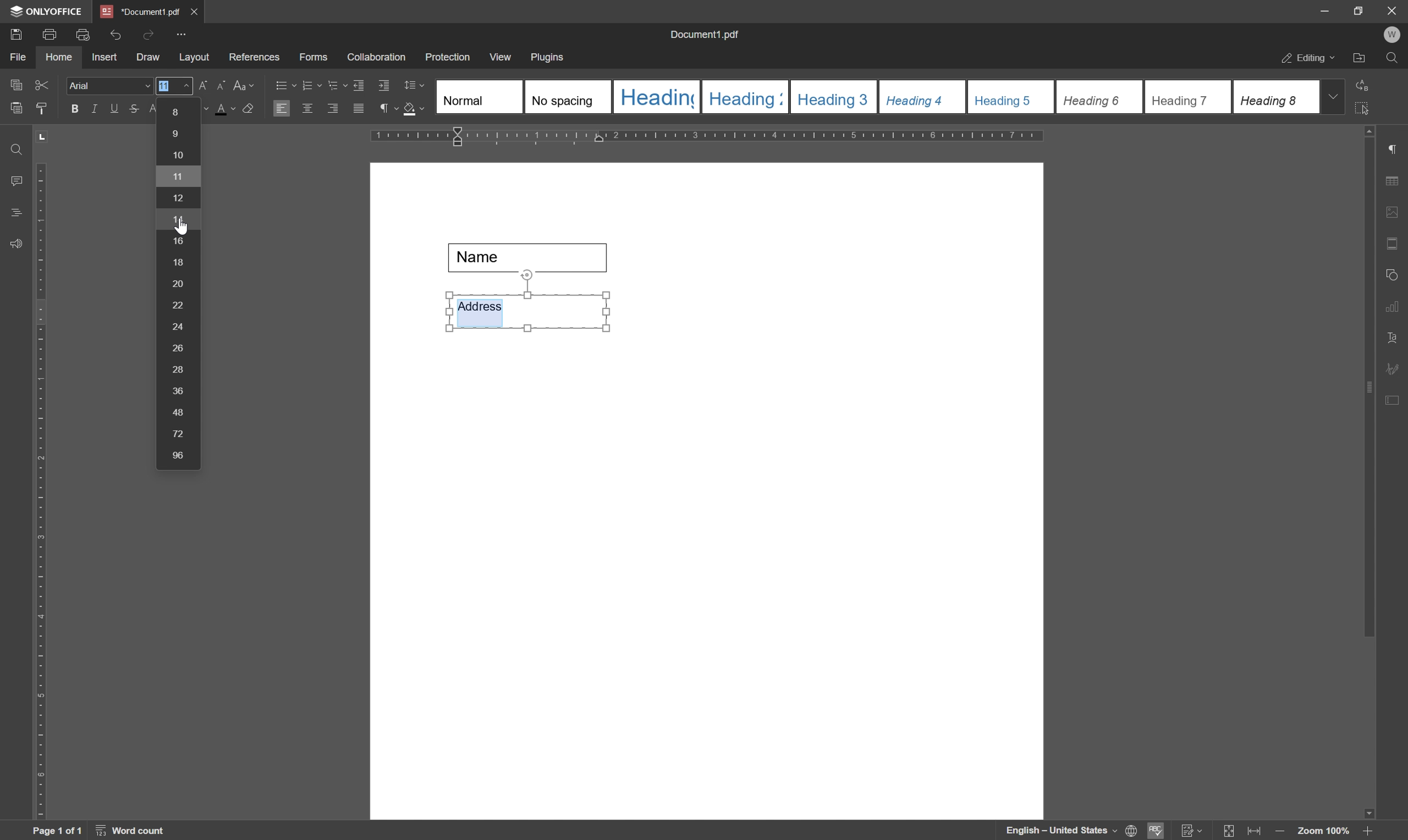 The width and height of the screenshot is (1408, 840). Describe the element at coordinates (49, 11) in the screenshot. I see `onlyoffice` at that location.